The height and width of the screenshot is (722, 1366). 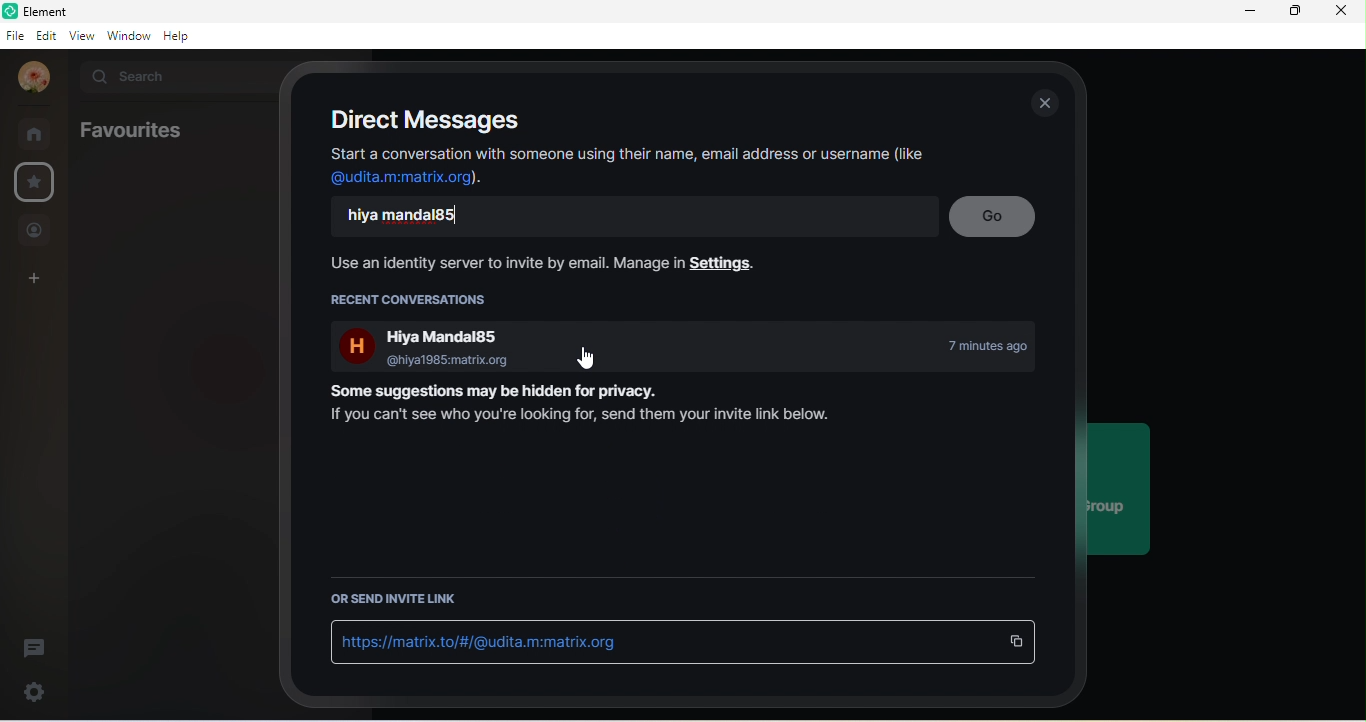 I want to click on 7 min ago, so click(x=974, y=347).